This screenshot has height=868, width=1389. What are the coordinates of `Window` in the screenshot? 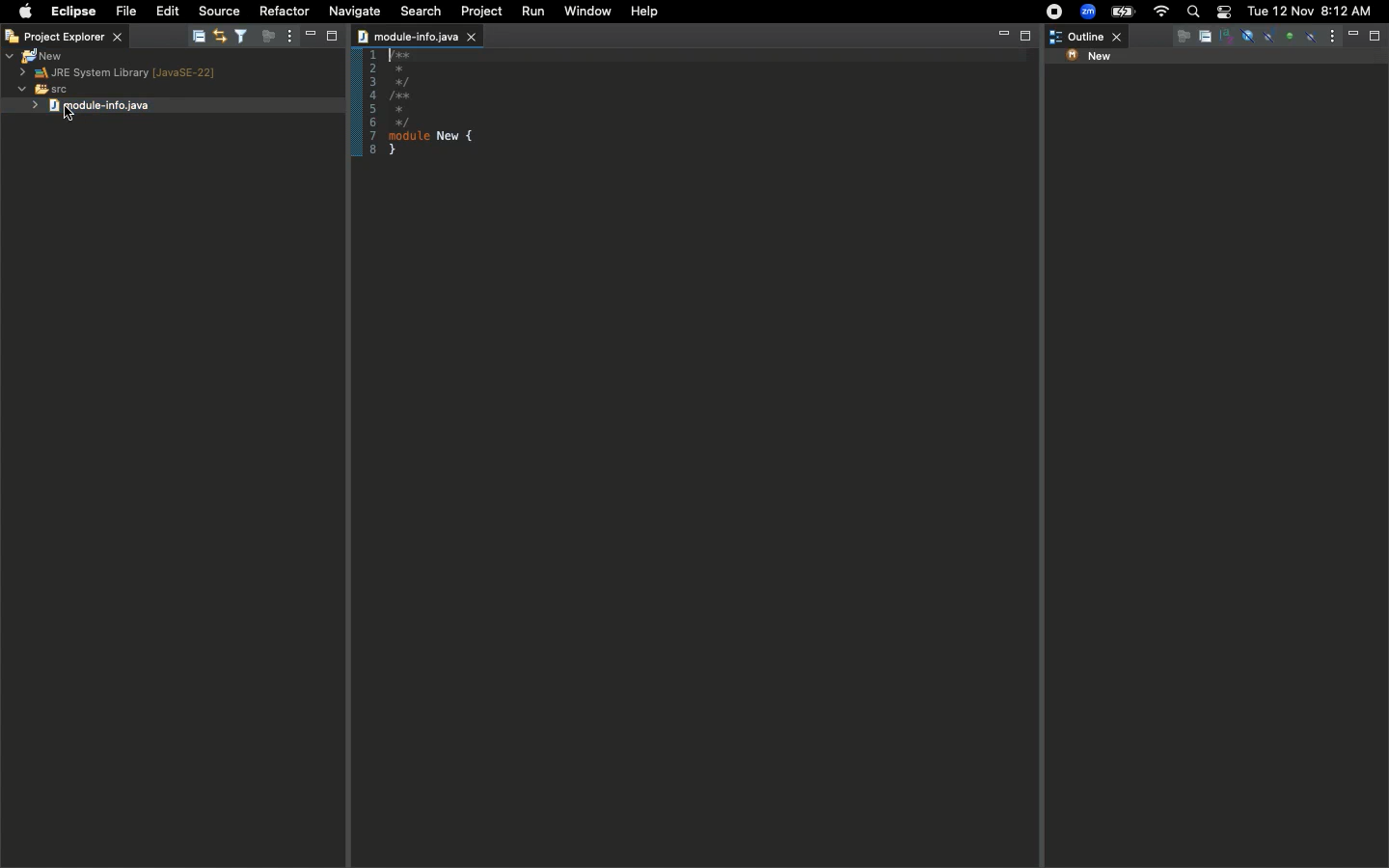 It's located at (588, 12).